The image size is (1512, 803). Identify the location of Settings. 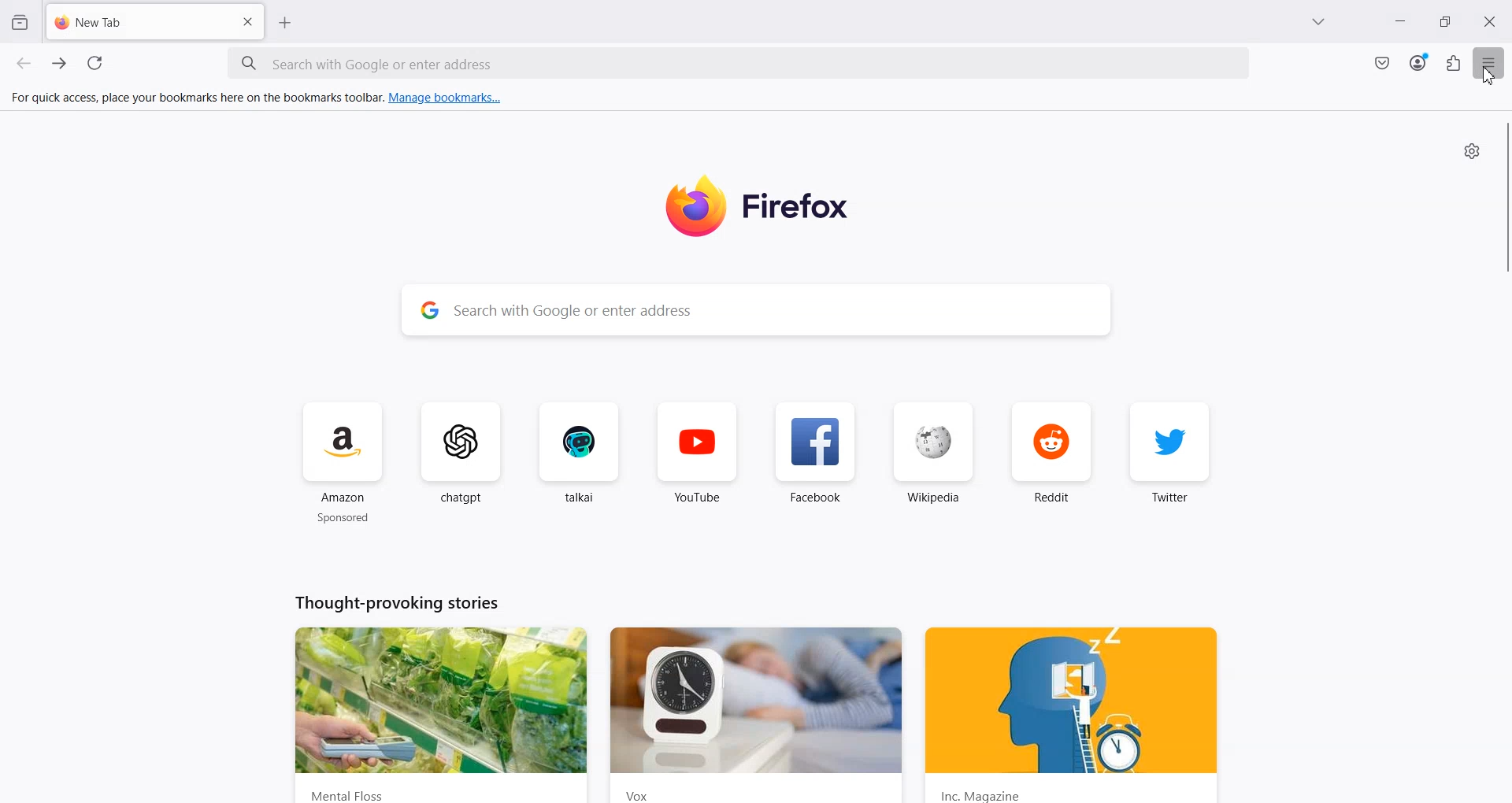
(1472, 150).